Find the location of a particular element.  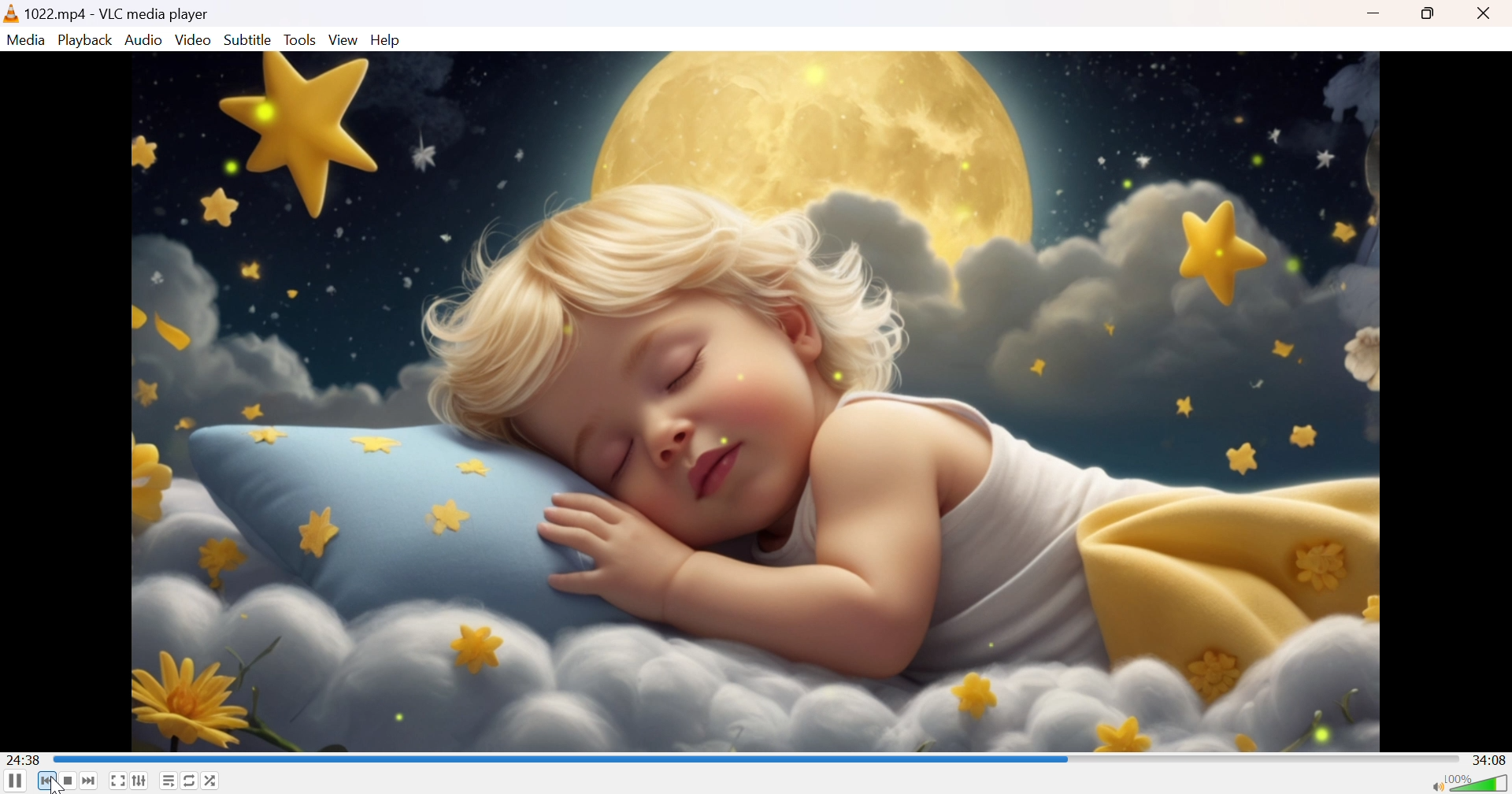

Show extended settings is located at coordinates (139, 781).